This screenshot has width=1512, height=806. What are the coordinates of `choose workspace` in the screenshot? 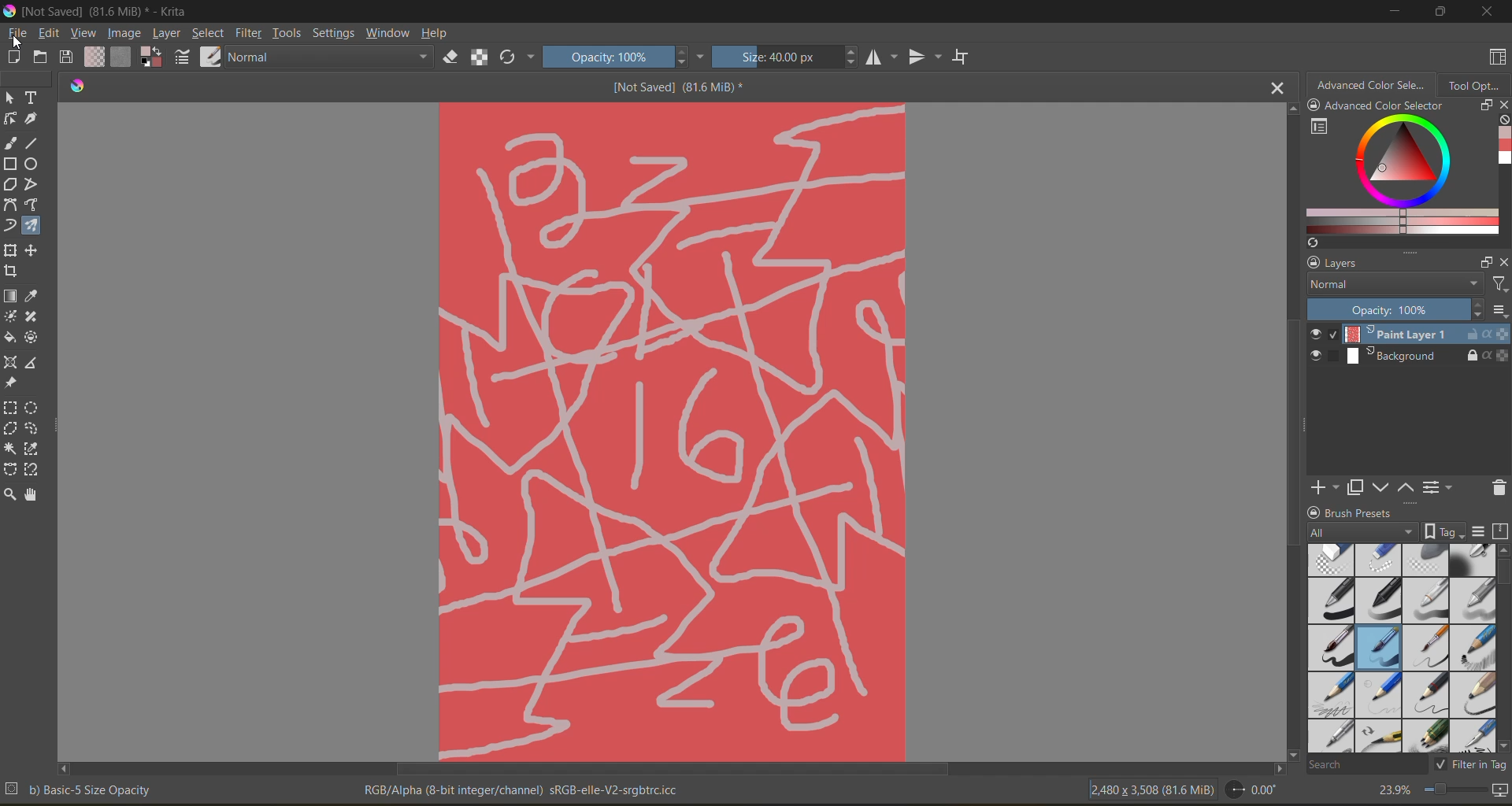 It's located at (1494, 59).